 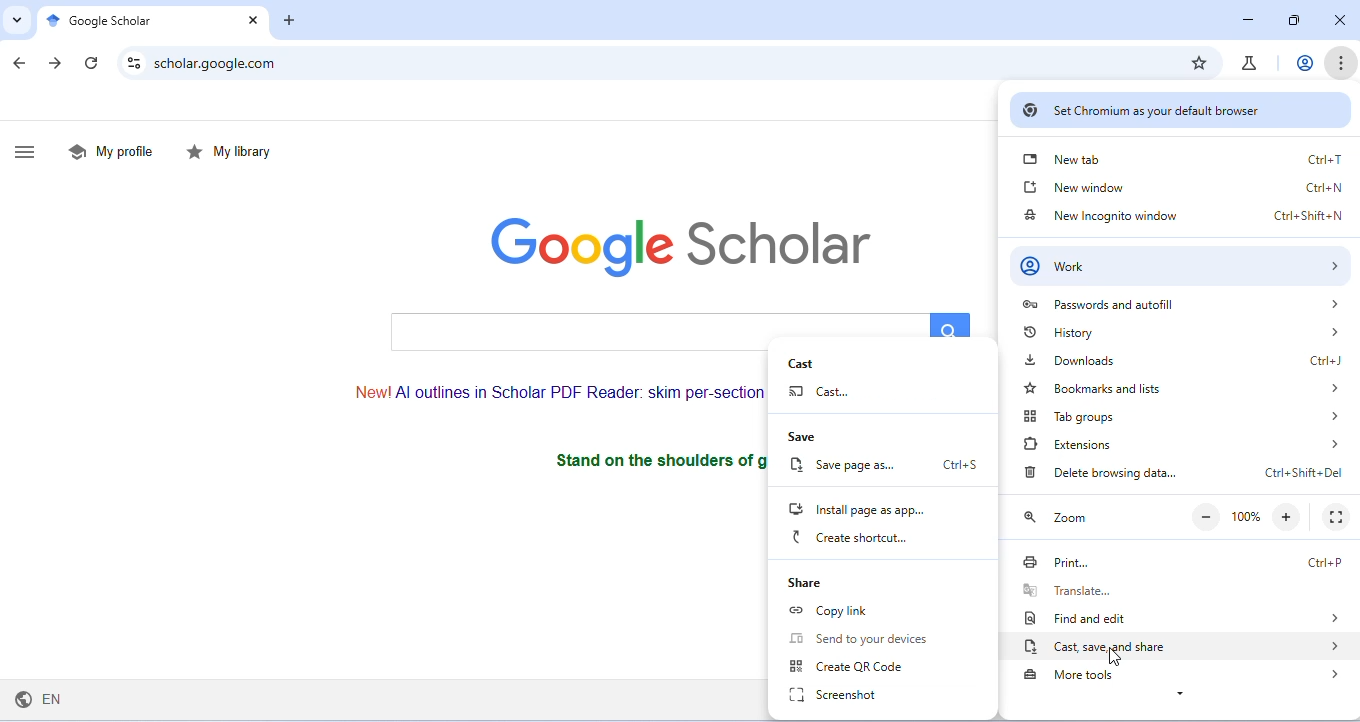 What do you see at coordinates (850, 666) in the screenshot?
I see `create QR Code` at bounding box center [850, 666].